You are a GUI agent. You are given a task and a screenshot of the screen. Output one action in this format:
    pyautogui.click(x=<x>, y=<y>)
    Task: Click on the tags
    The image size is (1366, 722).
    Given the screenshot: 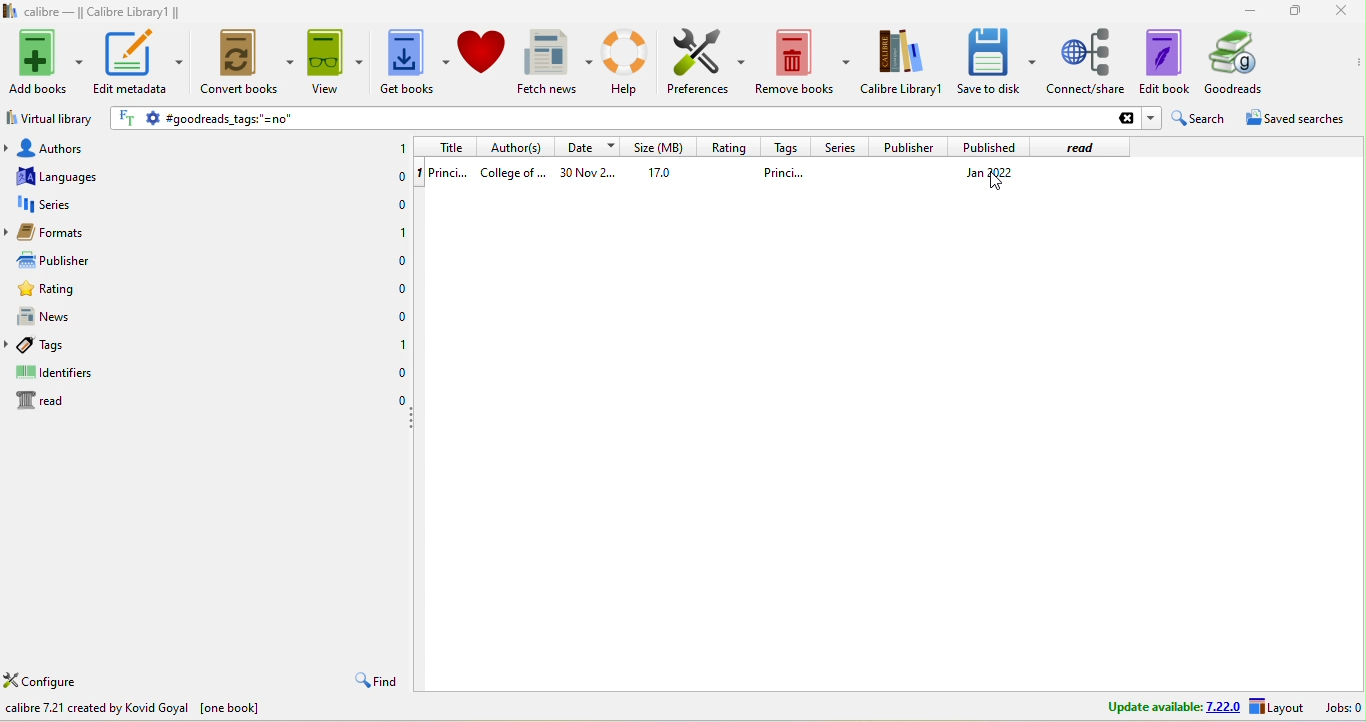 What is the action you would take?
    pyautogui.click(x=787, y=147)
    